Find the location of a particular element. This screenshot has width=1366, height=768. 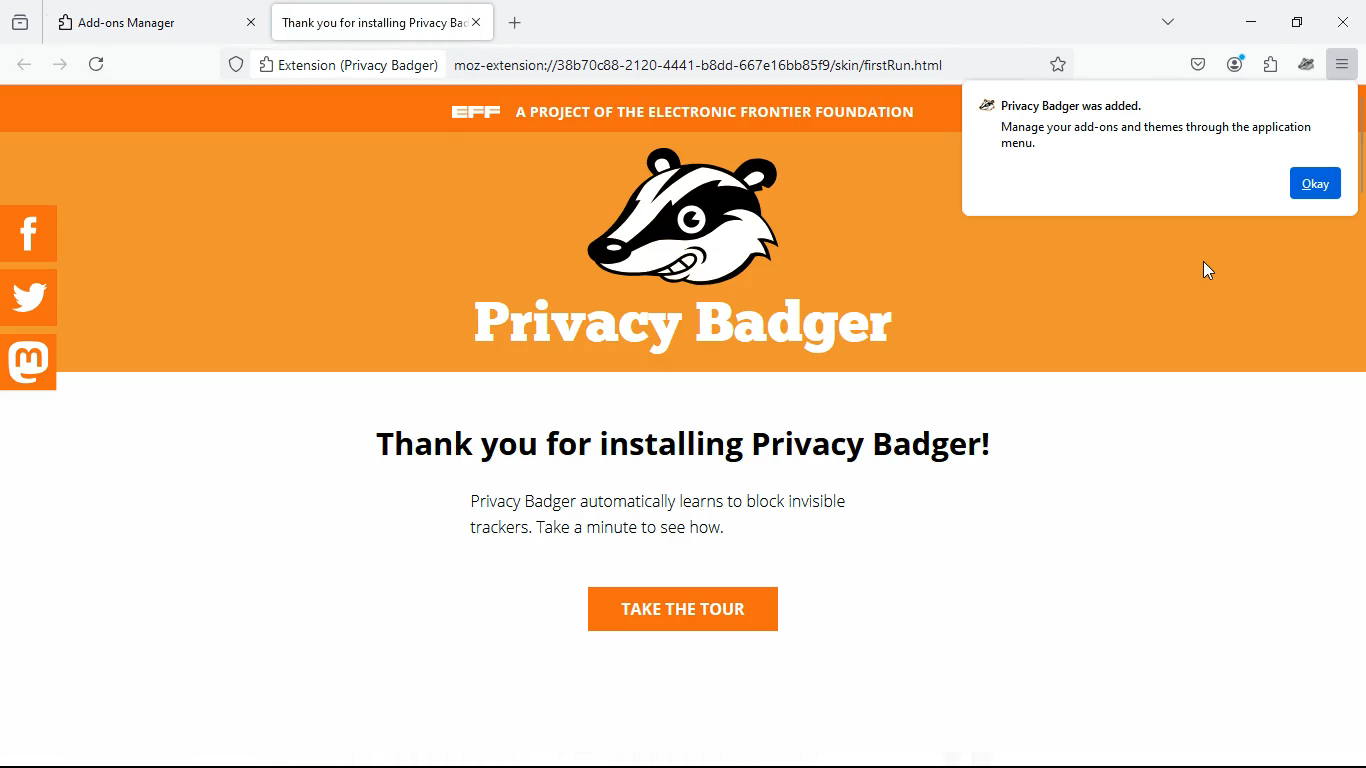

logo is located at coordinates (694, 253).